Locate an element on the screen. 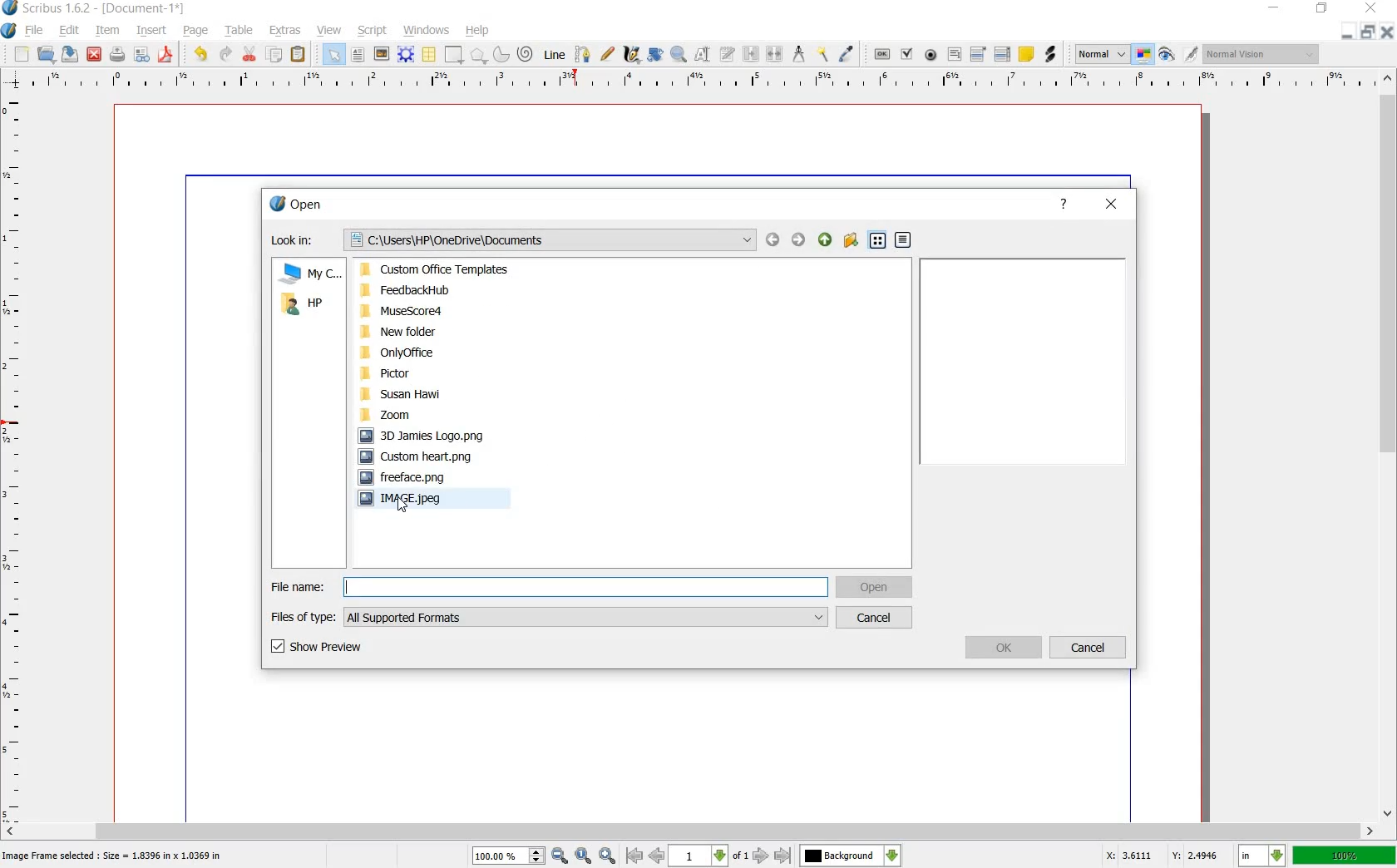  windows is located at coordinates (425, 28).